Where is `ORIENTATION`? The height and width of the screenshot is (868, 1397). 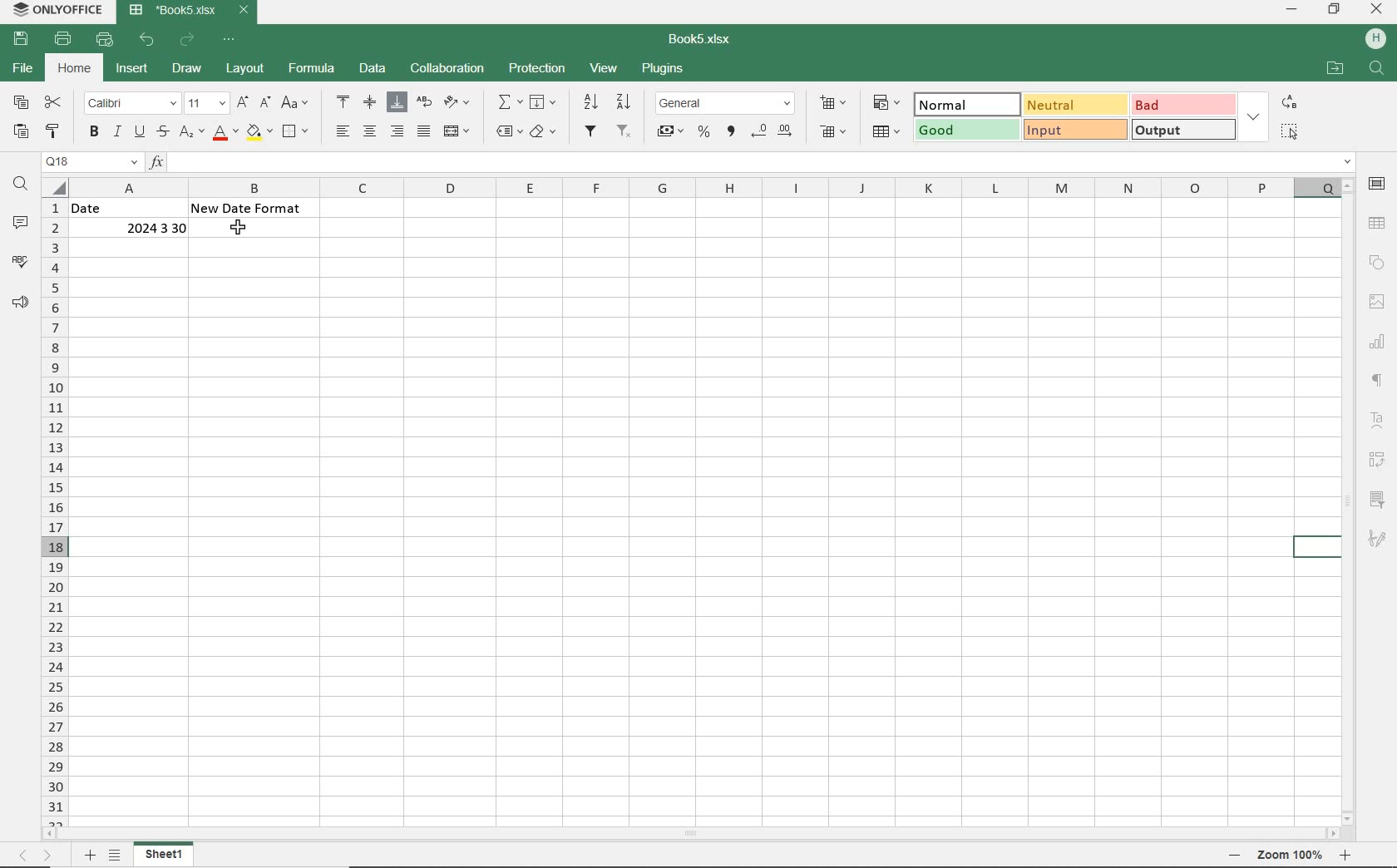
ORIENTATION is located at coordinates (459, 101).